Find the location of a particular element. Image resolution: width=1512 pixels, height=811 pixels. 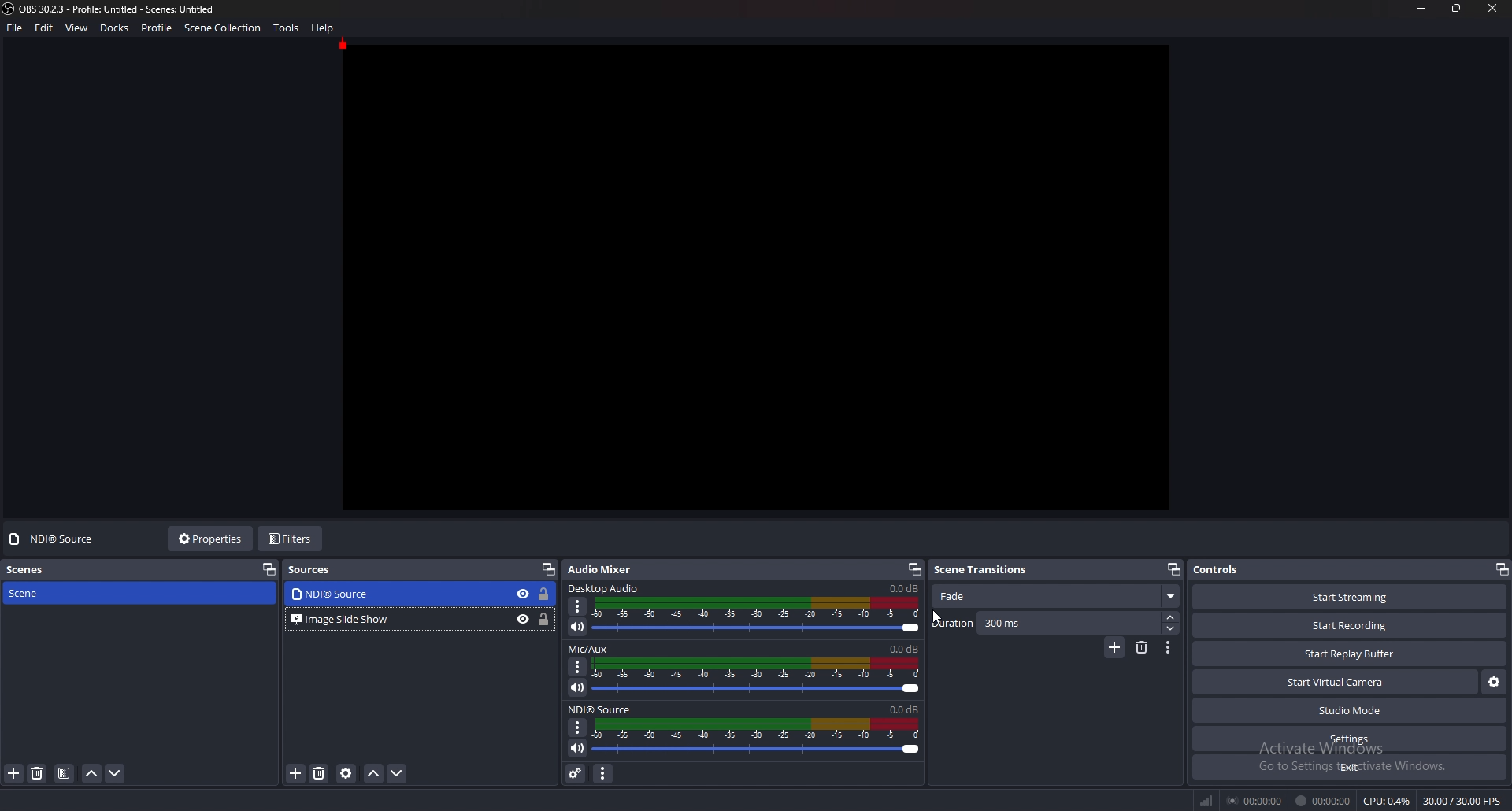

start replay buffer is located at coordinates (1348, 654).